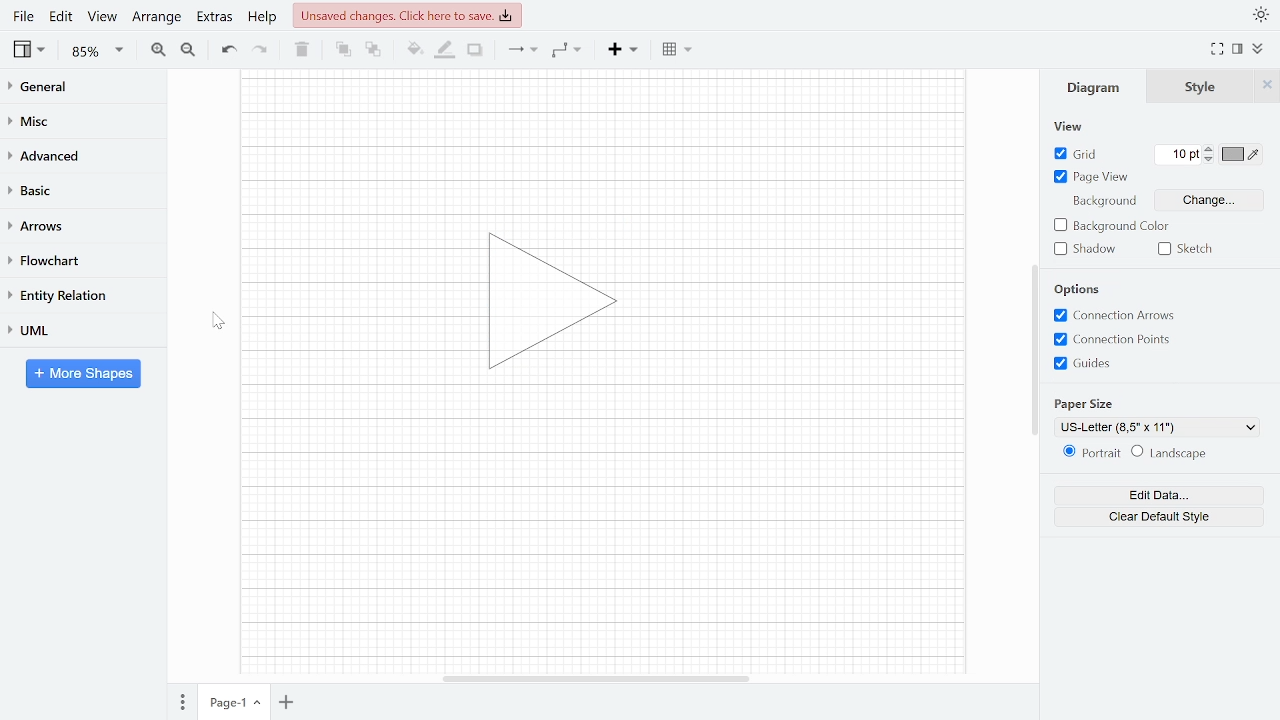 This screenshot has height=720, width=1280. Describe the element at coordinates (1238, 50) in the screenshot. I see `Format (Ctrl+Shift+P)` at that location.